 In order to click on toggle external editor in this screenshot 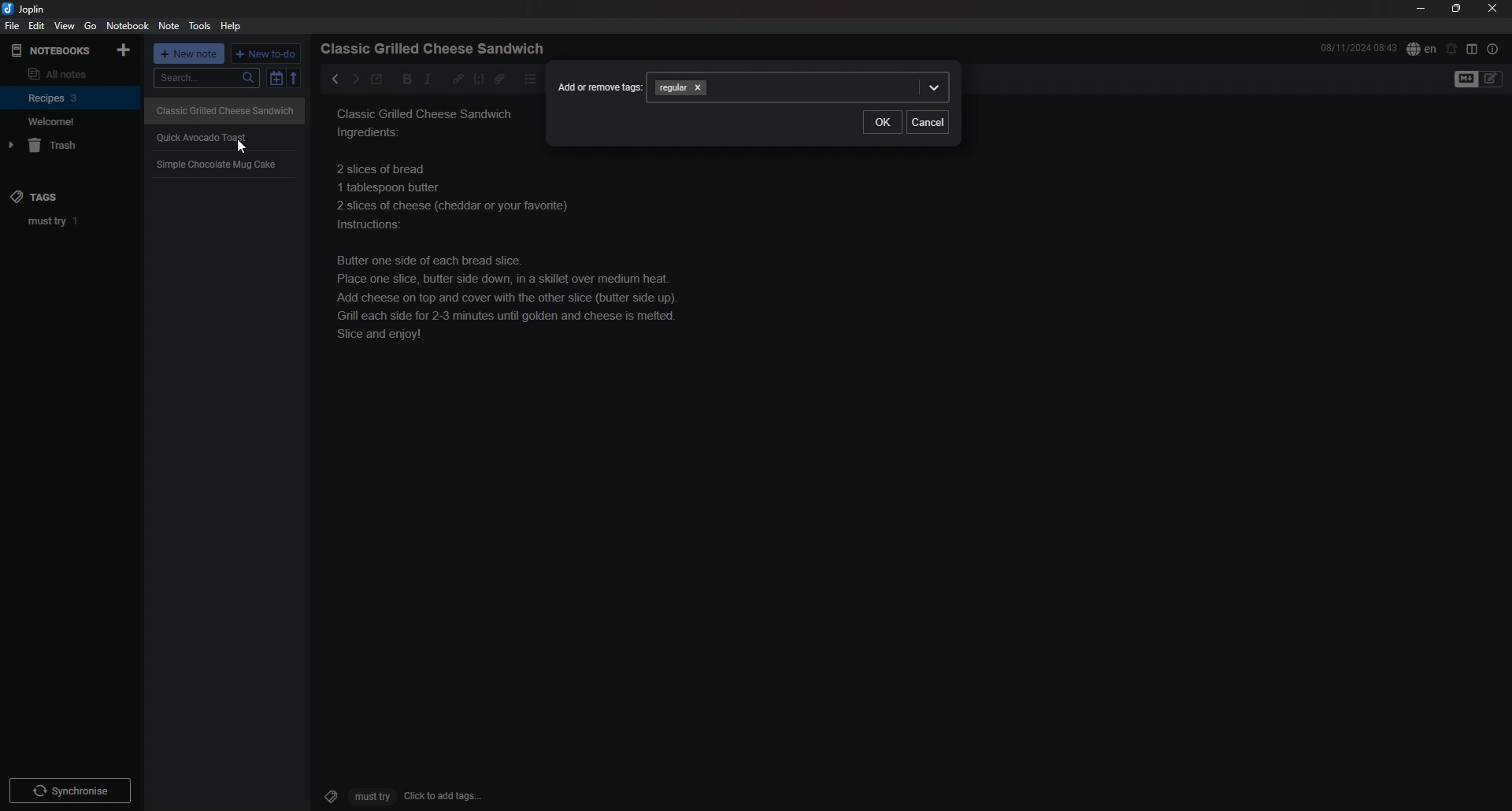, I will do `click(376, 81)`.